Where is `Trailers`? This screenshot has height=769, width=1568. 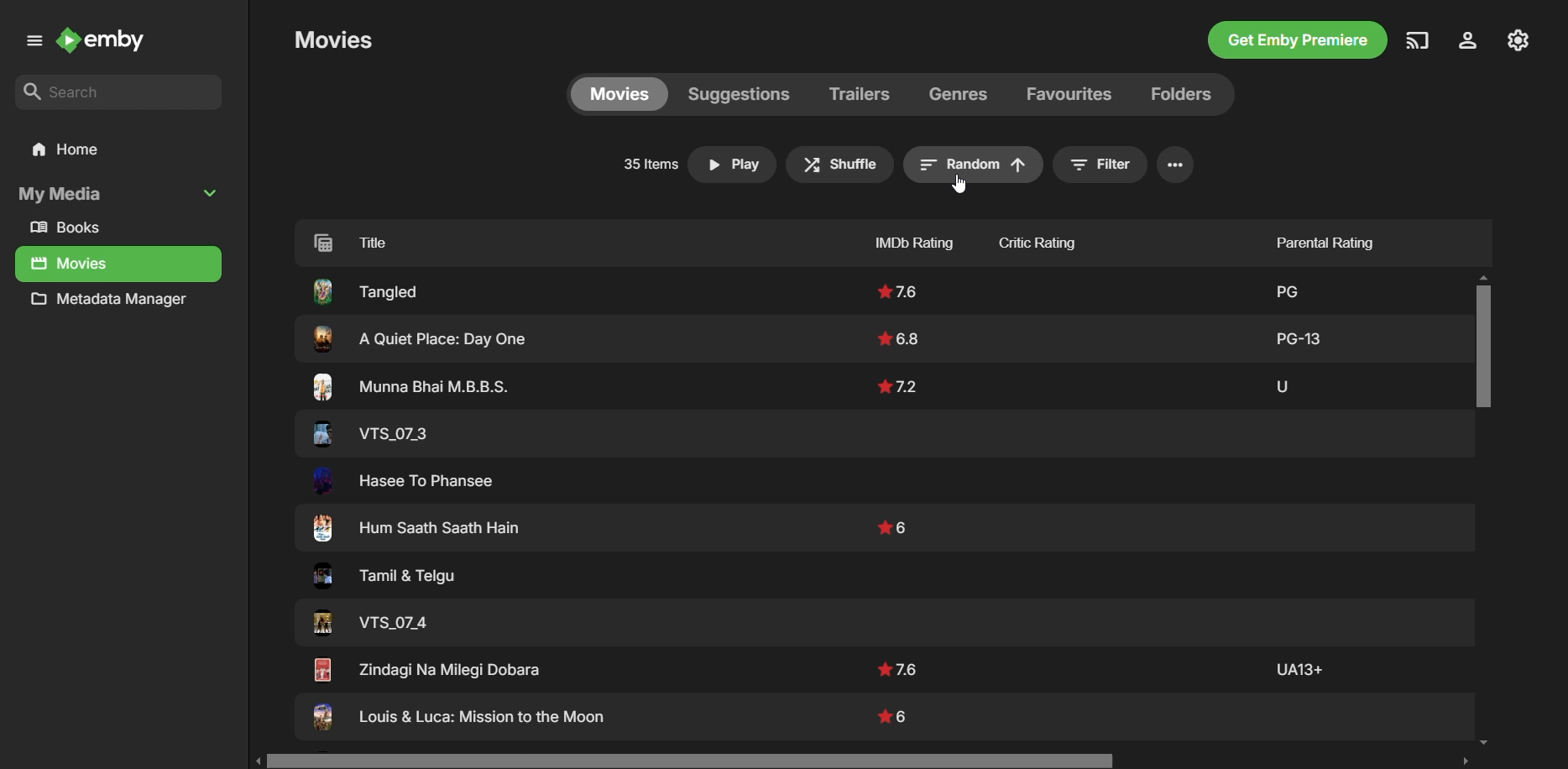 Trailers is located at coordinates (860, 95).